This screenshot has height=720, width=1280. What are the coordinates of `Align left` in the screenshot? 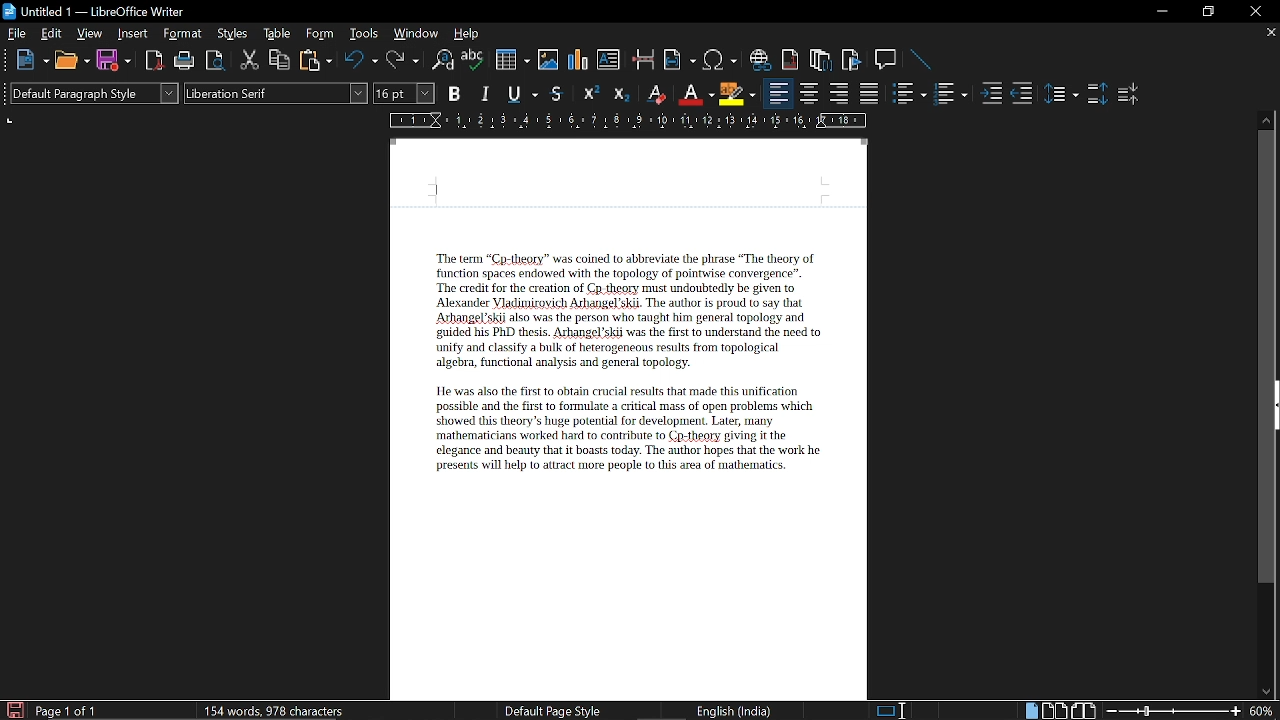 It's located at (777, 93).